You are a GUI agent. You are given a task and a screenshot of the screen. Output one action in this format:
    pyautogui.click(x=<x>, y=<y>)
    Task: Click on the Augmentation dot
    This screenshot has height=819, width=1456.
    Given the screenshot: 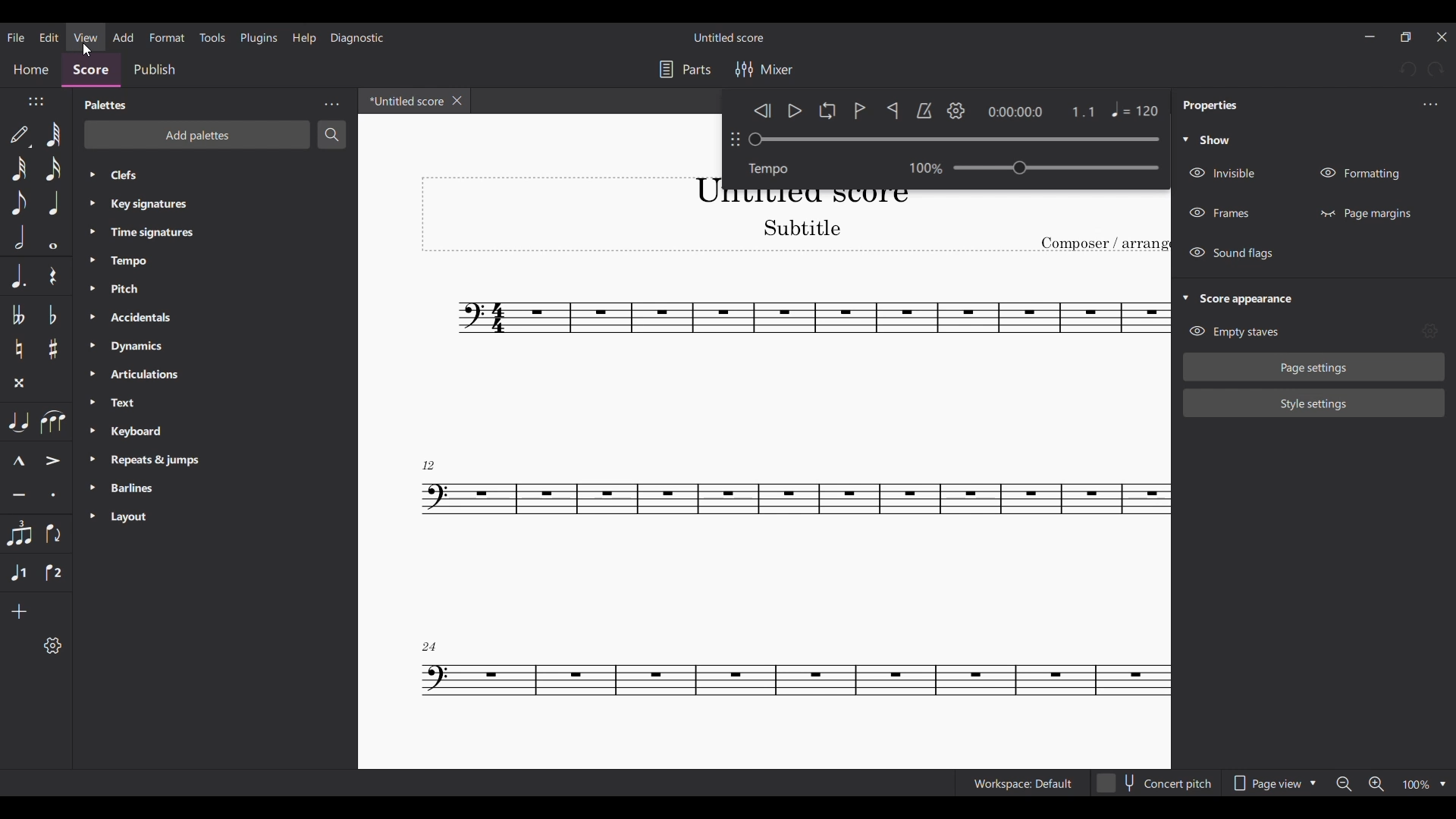 What is the action you would take?
    pyautogui.click(x=17, y=276)
    